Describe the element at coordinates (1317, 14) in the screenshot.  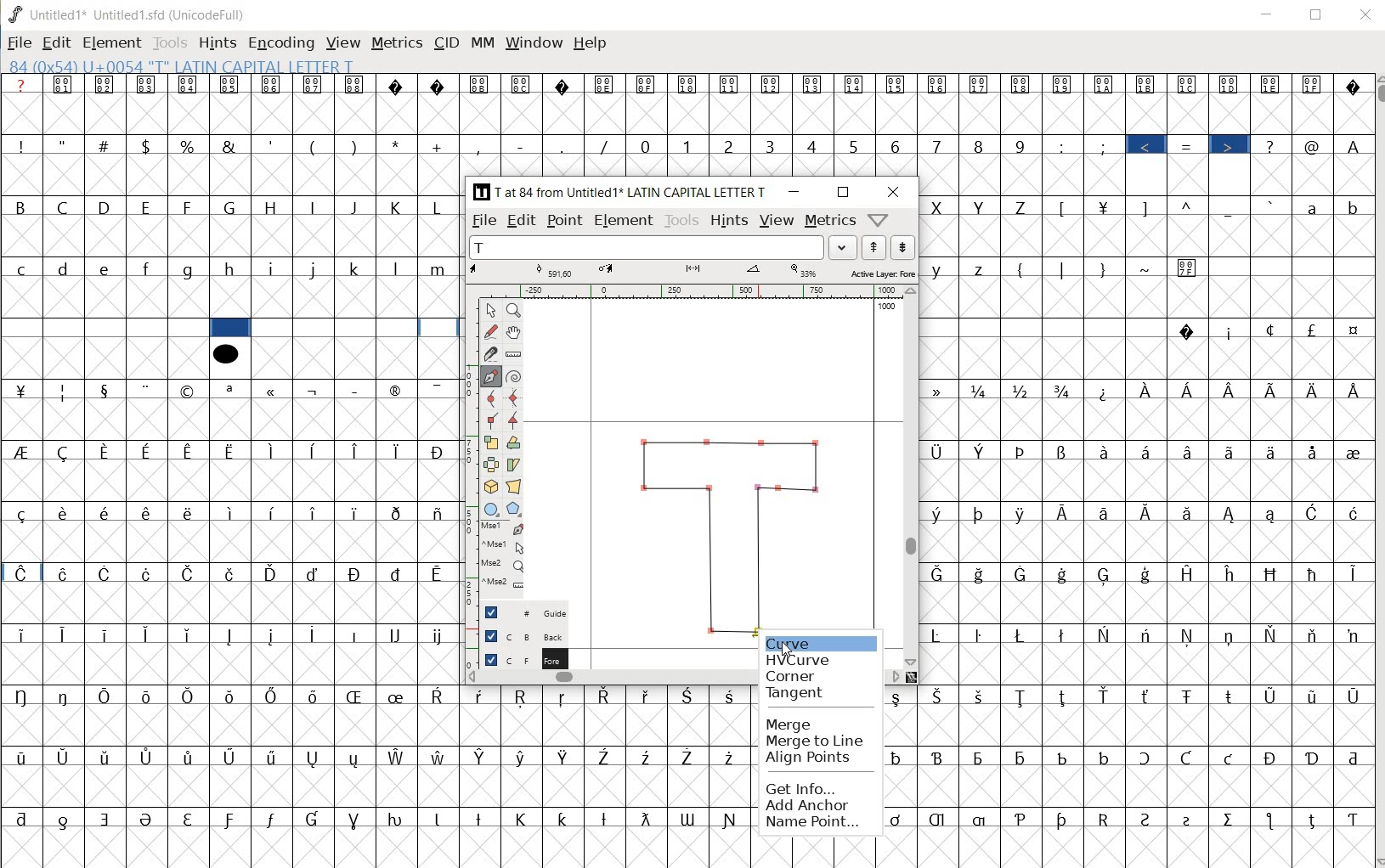
I see `maximize` at that location.